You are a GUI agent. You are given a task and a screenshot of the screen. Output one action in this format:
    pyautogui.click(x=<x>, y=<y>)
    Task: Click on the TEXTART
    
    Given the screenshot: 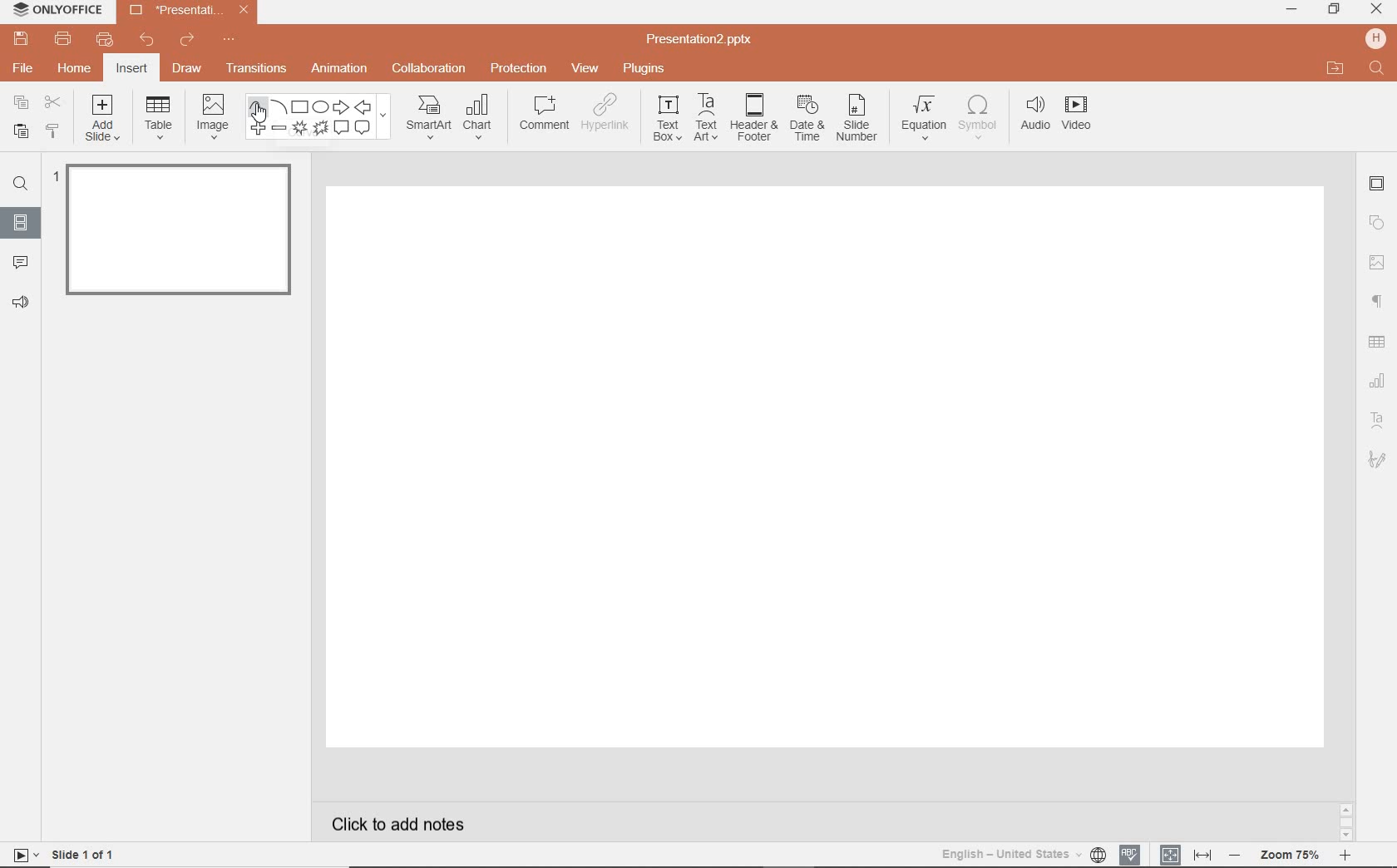 What is the action you would take?
    pyautogui.click(x=706, y=119)
    